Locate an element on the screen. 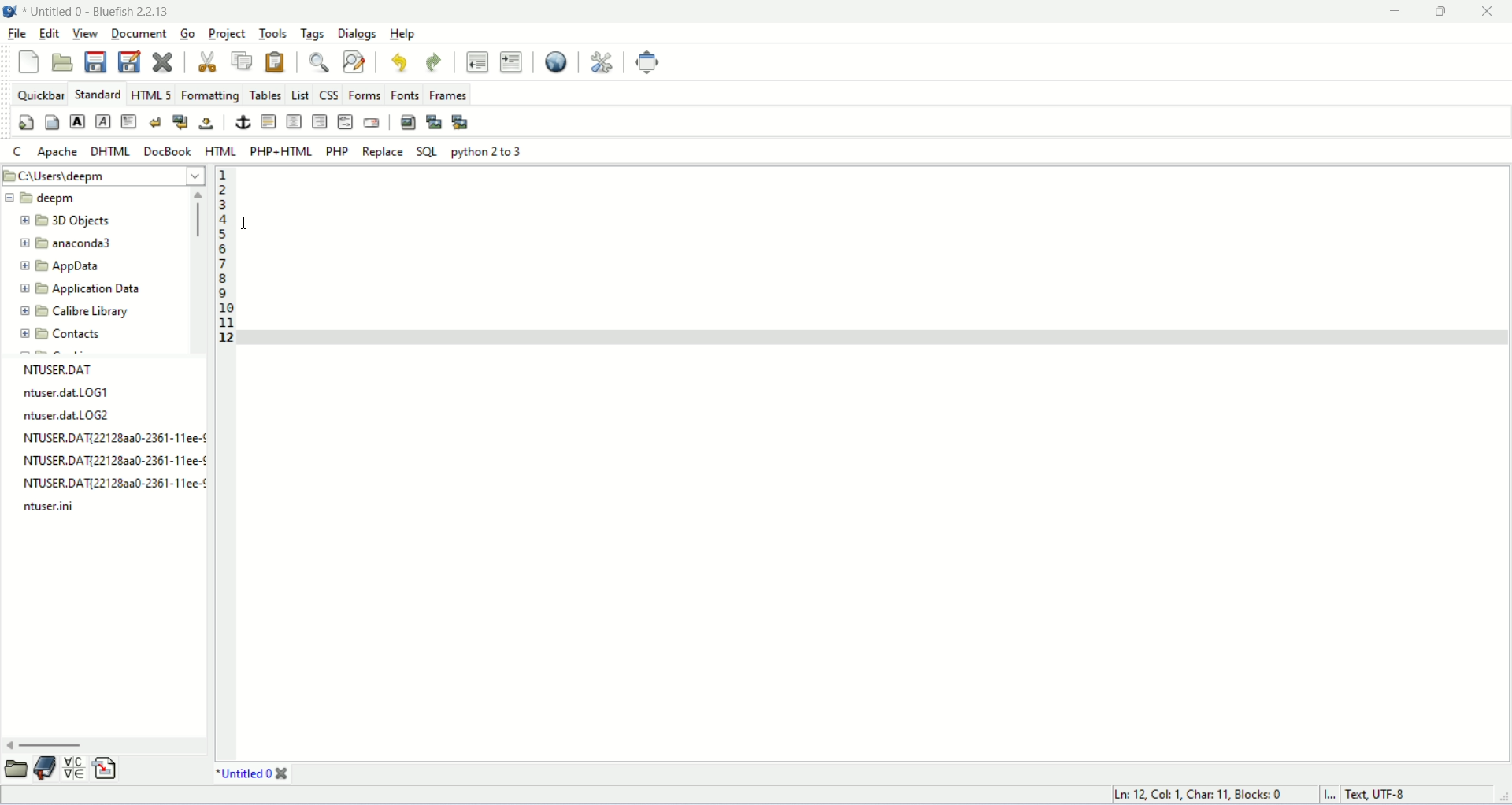 The width and height of the screenshot is (1512, 805). folder name is located at coordinates (95, 288).